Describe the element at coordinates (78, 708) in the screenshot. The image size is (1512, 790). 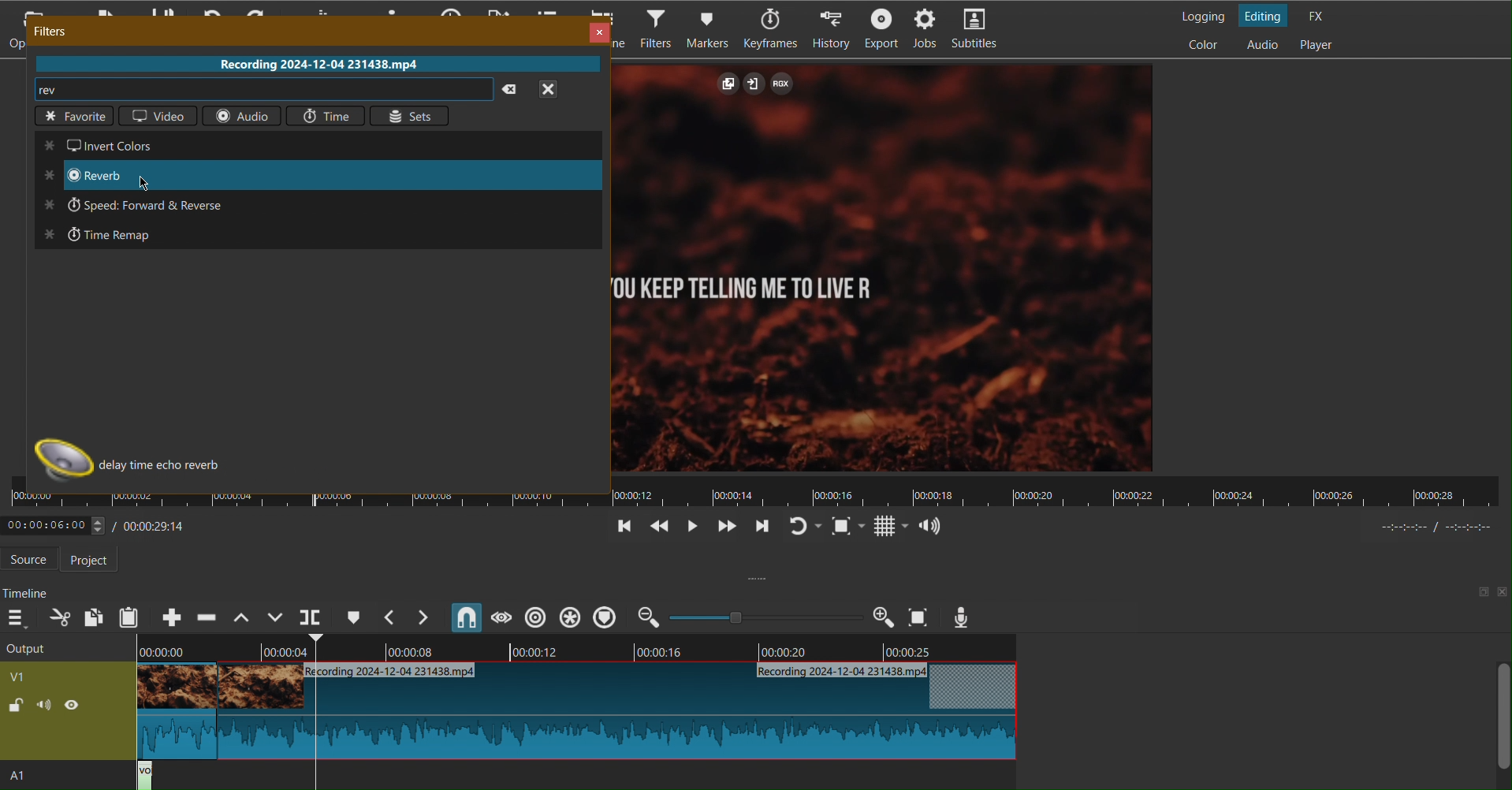
I see `view` at that location.